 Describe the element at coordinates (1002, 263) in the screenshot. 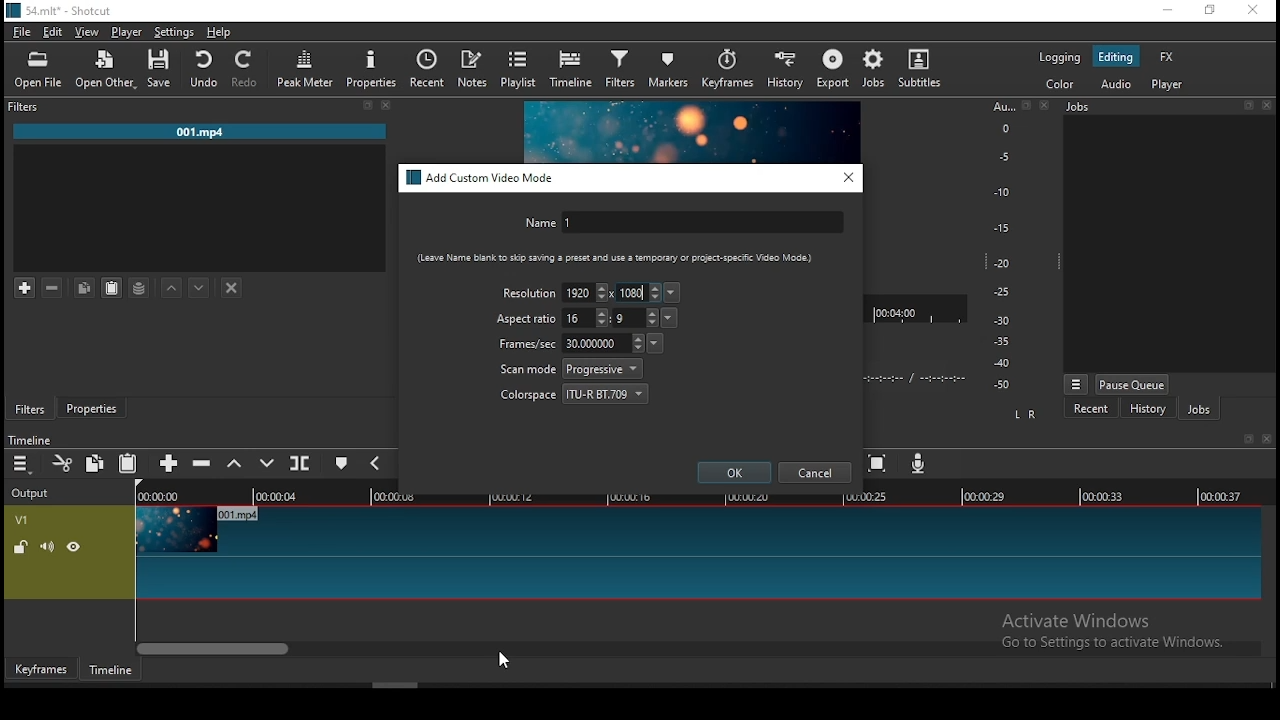

I see `-20` at that location.